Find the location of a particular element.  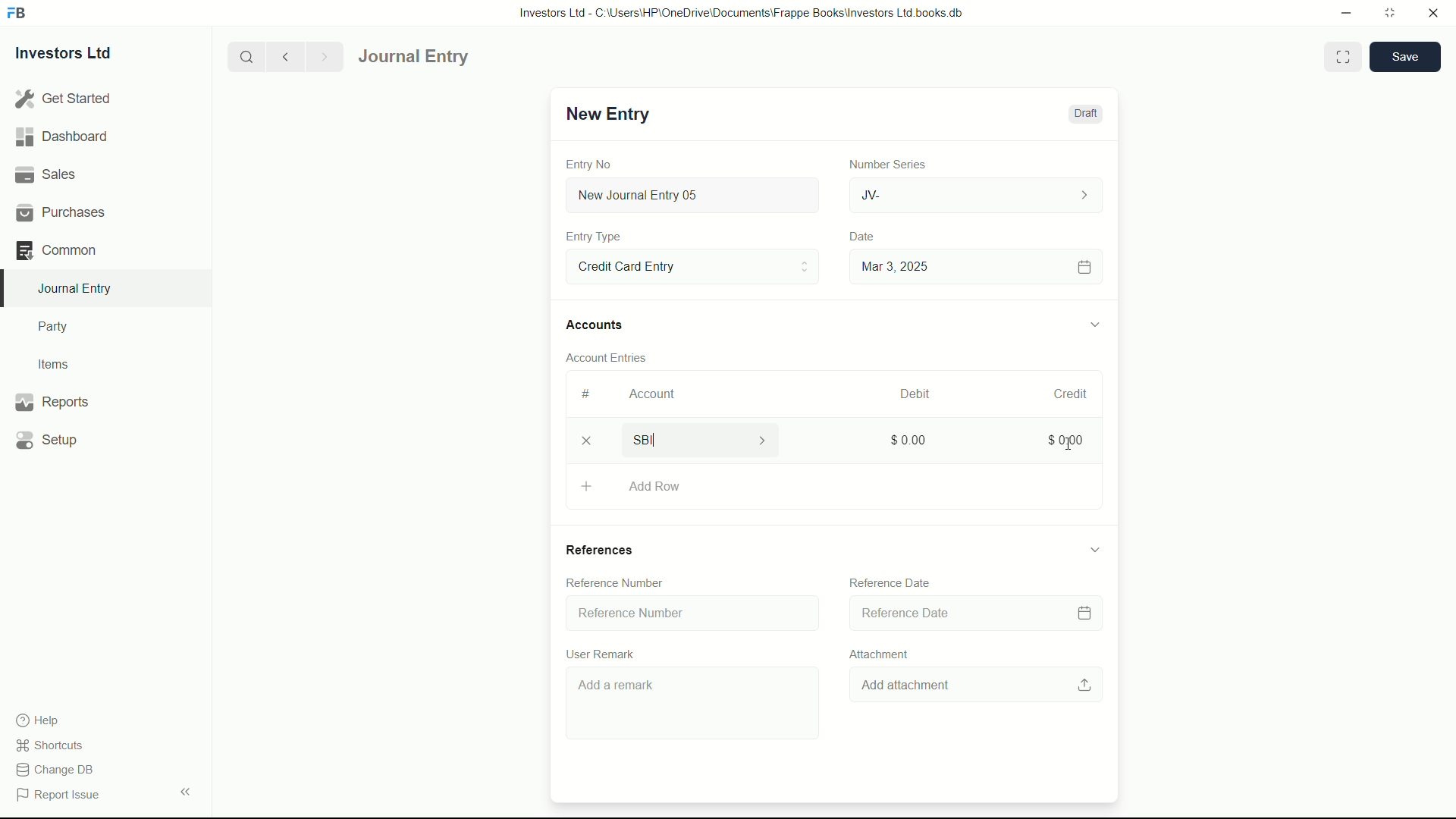

minimize is located at coordinates (1342, 11).